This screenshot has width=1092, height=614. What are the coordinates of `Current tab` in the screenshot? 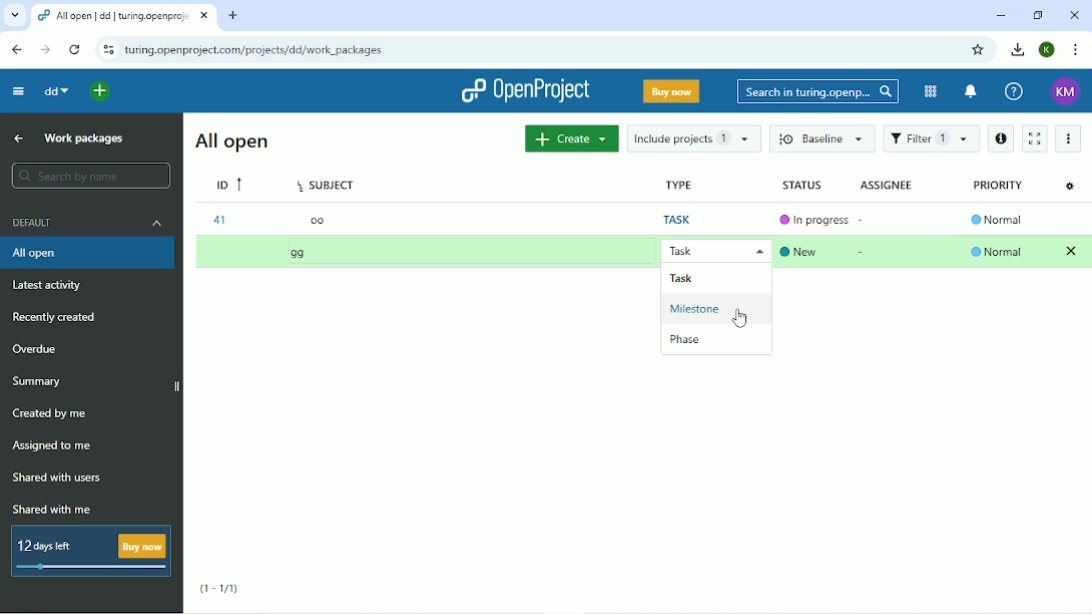 It's located at (124, 16).